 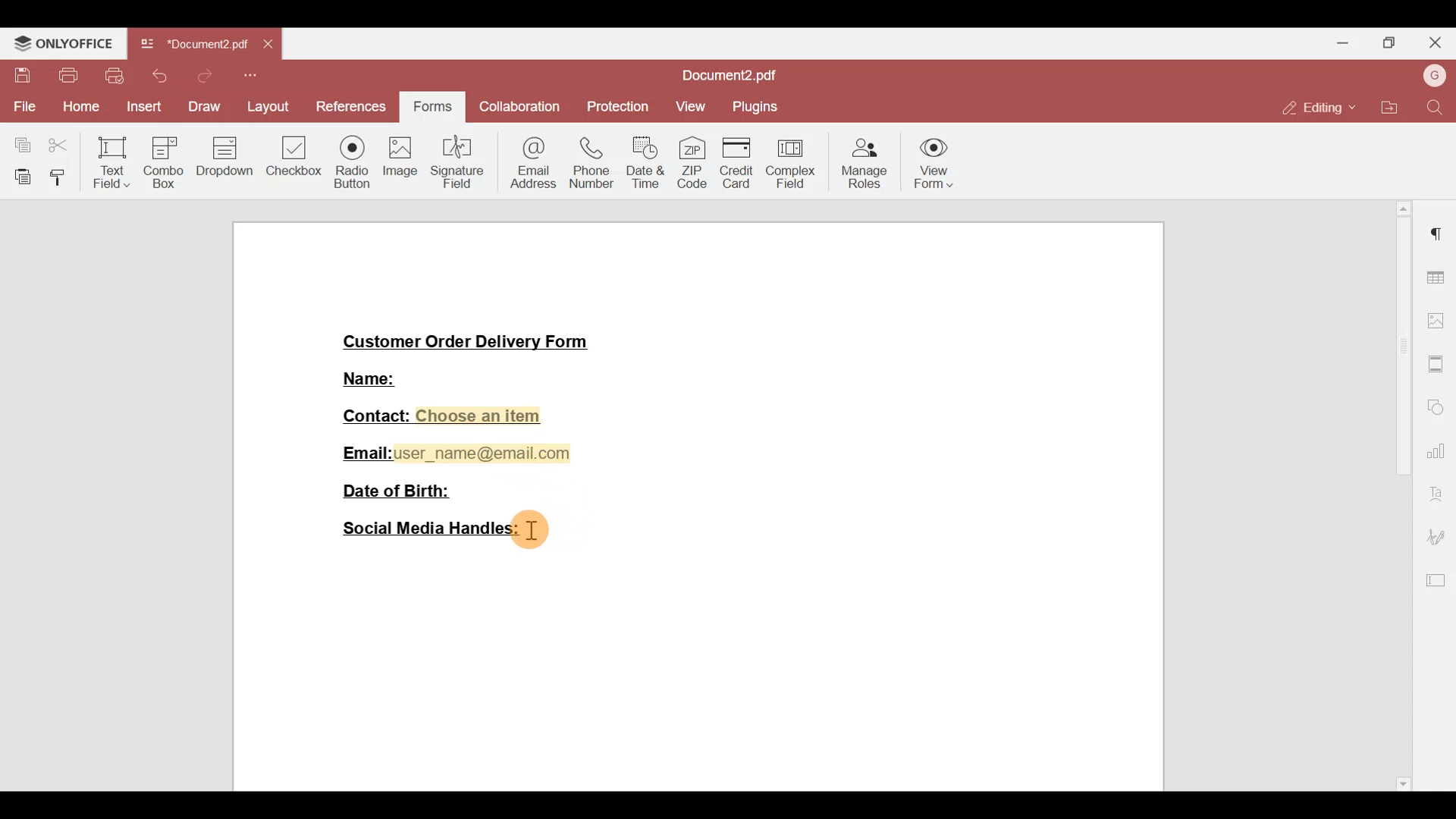 What do you see at coordinates (464, 337) in the screenshot?
I see `Customer Order Delivery Form` at bounding box center [464, 337].